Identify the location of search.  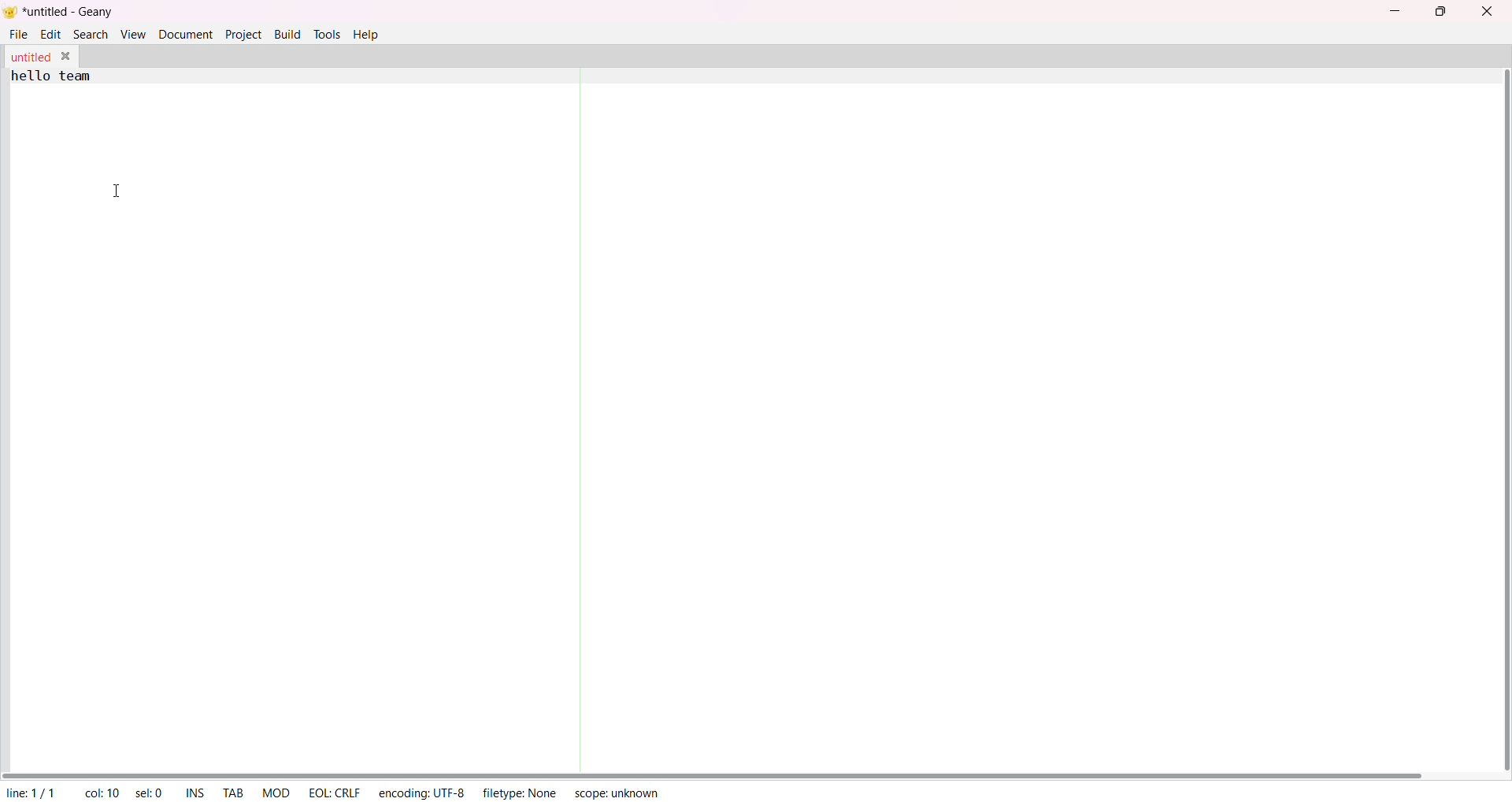
(93, 34).